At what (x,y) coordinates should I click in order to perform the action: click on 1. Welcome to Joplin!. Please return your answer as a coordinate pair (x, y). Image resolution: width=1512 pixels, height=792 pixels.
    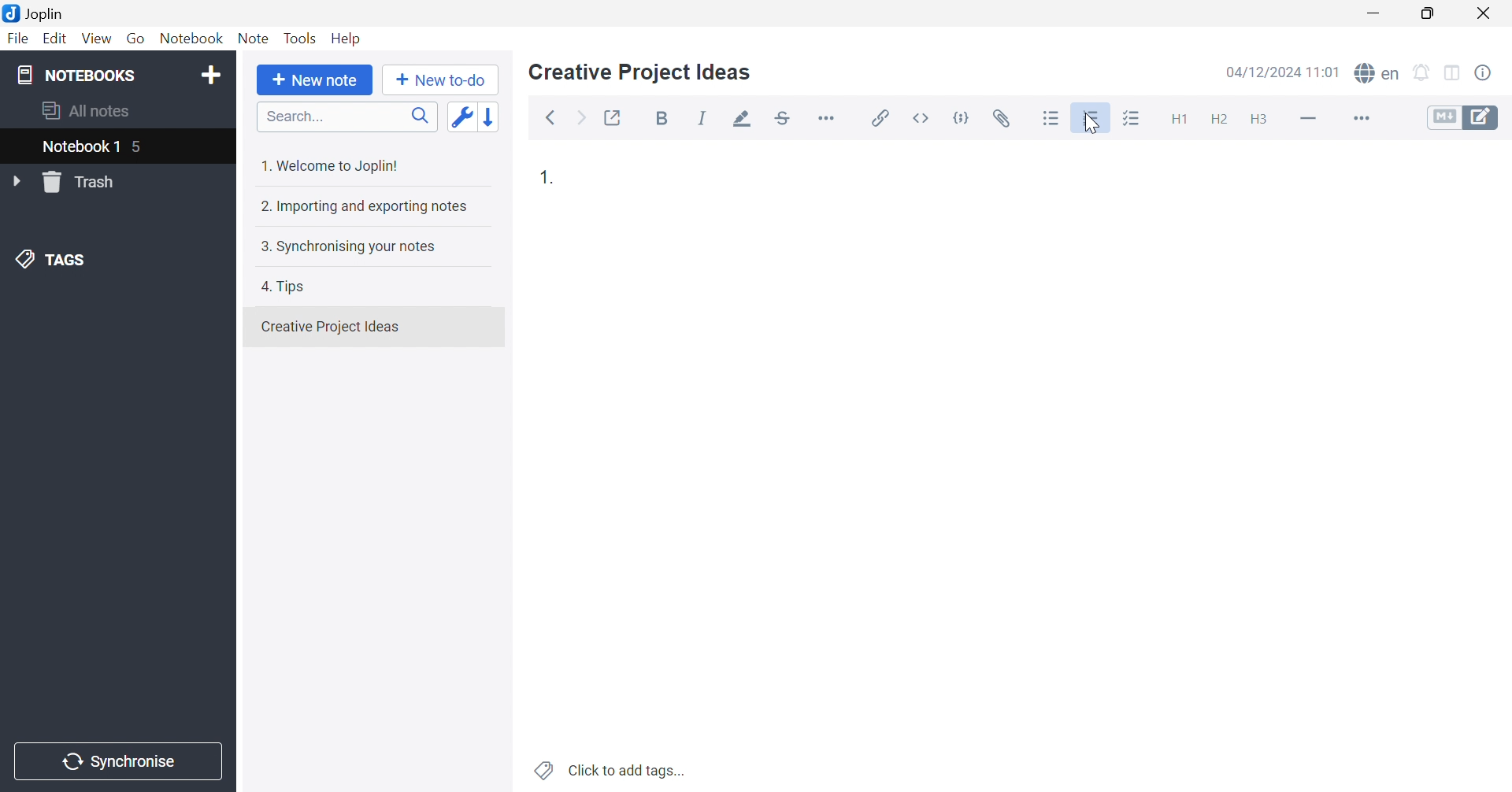
    Looking at the image, I should click on (336, 163).